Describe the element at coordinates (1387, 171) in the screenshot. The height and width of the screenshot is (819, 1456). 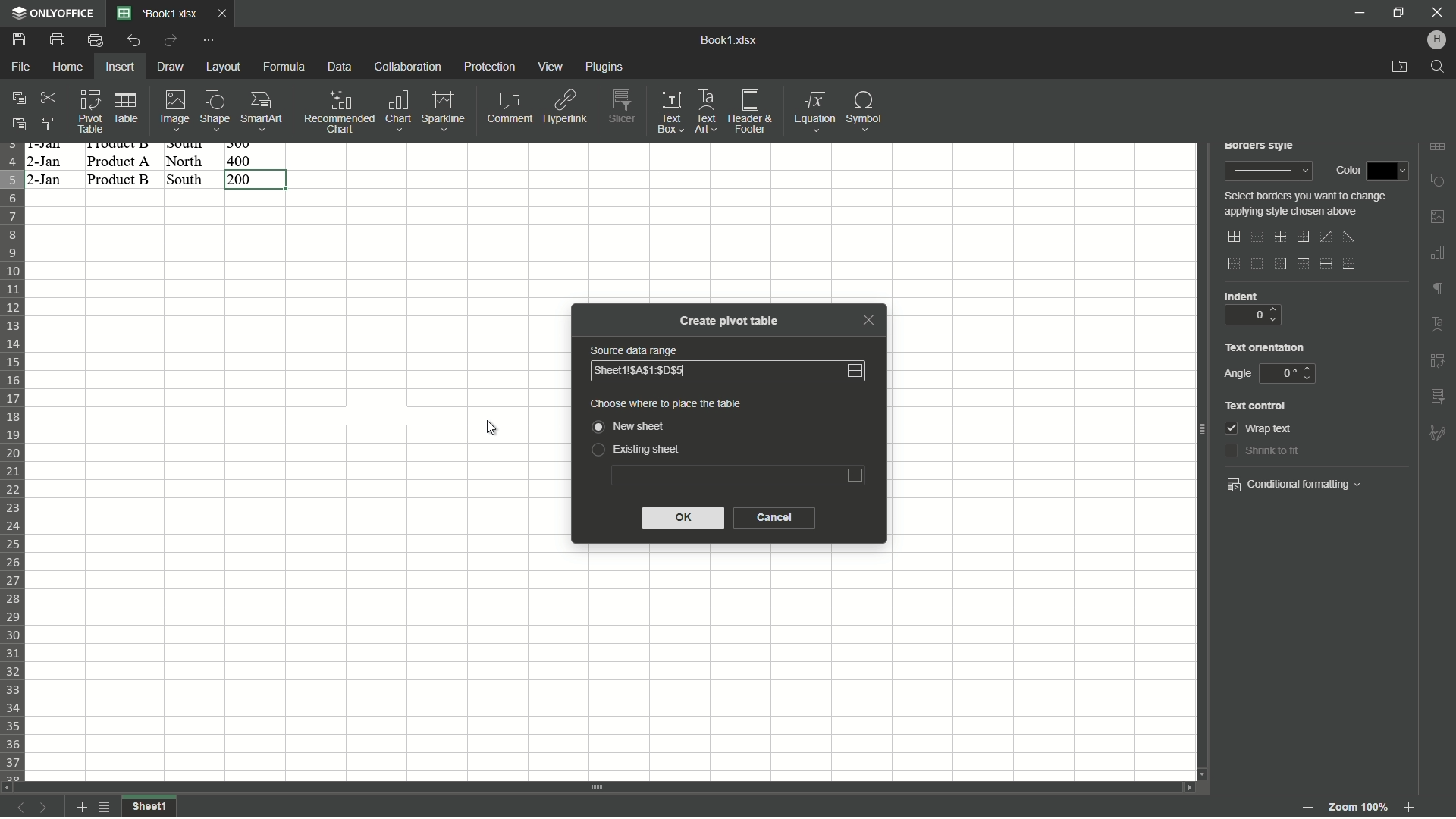
I see `color dropdown` at that location.